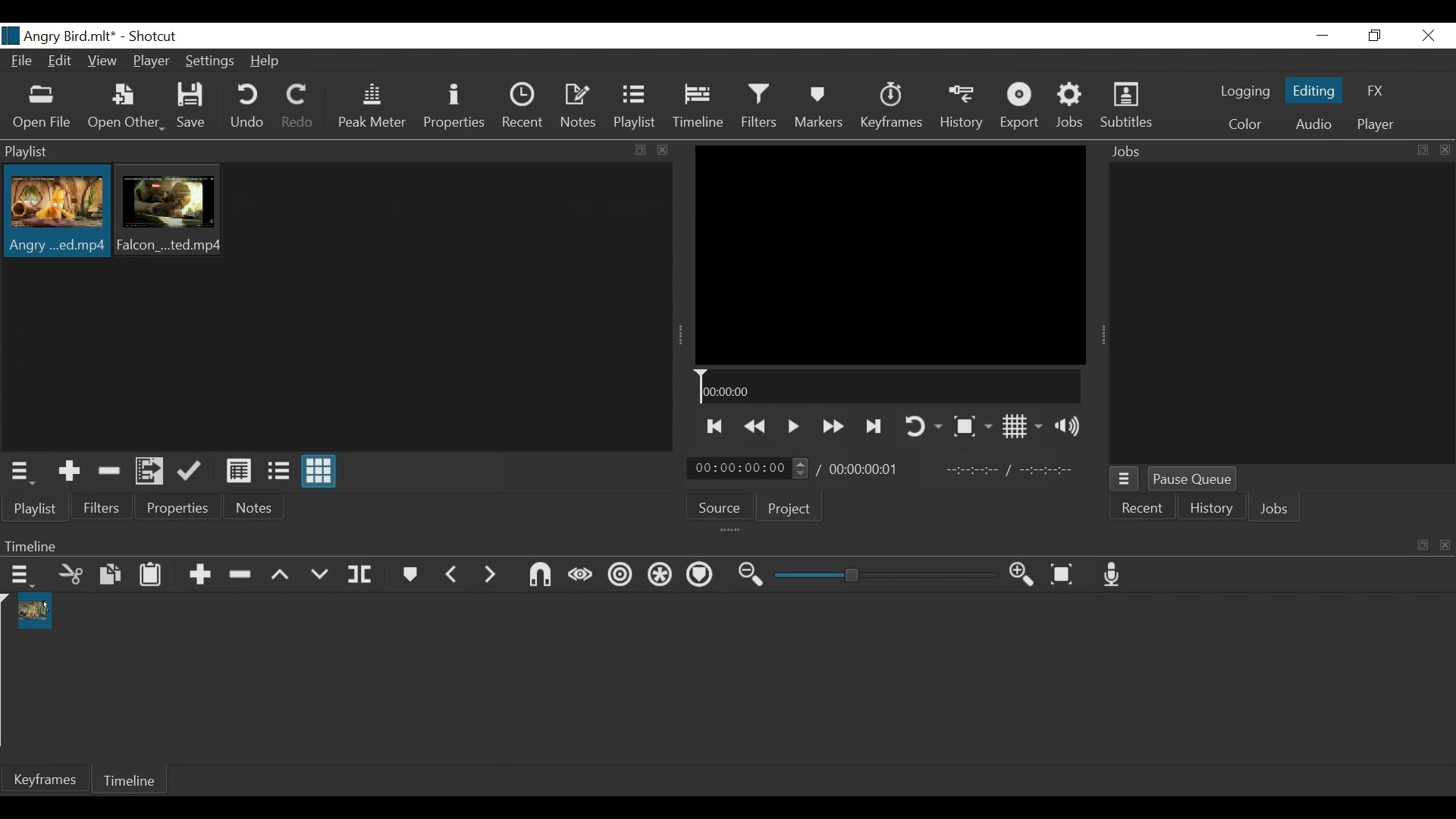  Describe the element at coordinates (718, 506) in the screenshot. I see `Source` at that location.